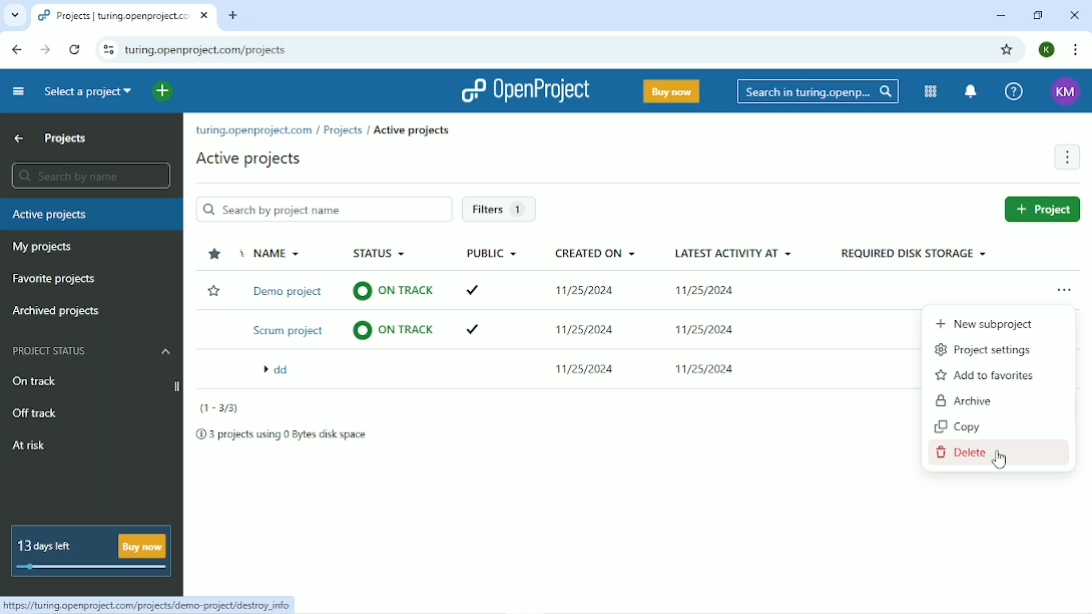 This screenshot has width=1092, height=614. Describe the element at coordinates (1008, 49) in the screenshot. I see `Bookmark this tab` at that location.